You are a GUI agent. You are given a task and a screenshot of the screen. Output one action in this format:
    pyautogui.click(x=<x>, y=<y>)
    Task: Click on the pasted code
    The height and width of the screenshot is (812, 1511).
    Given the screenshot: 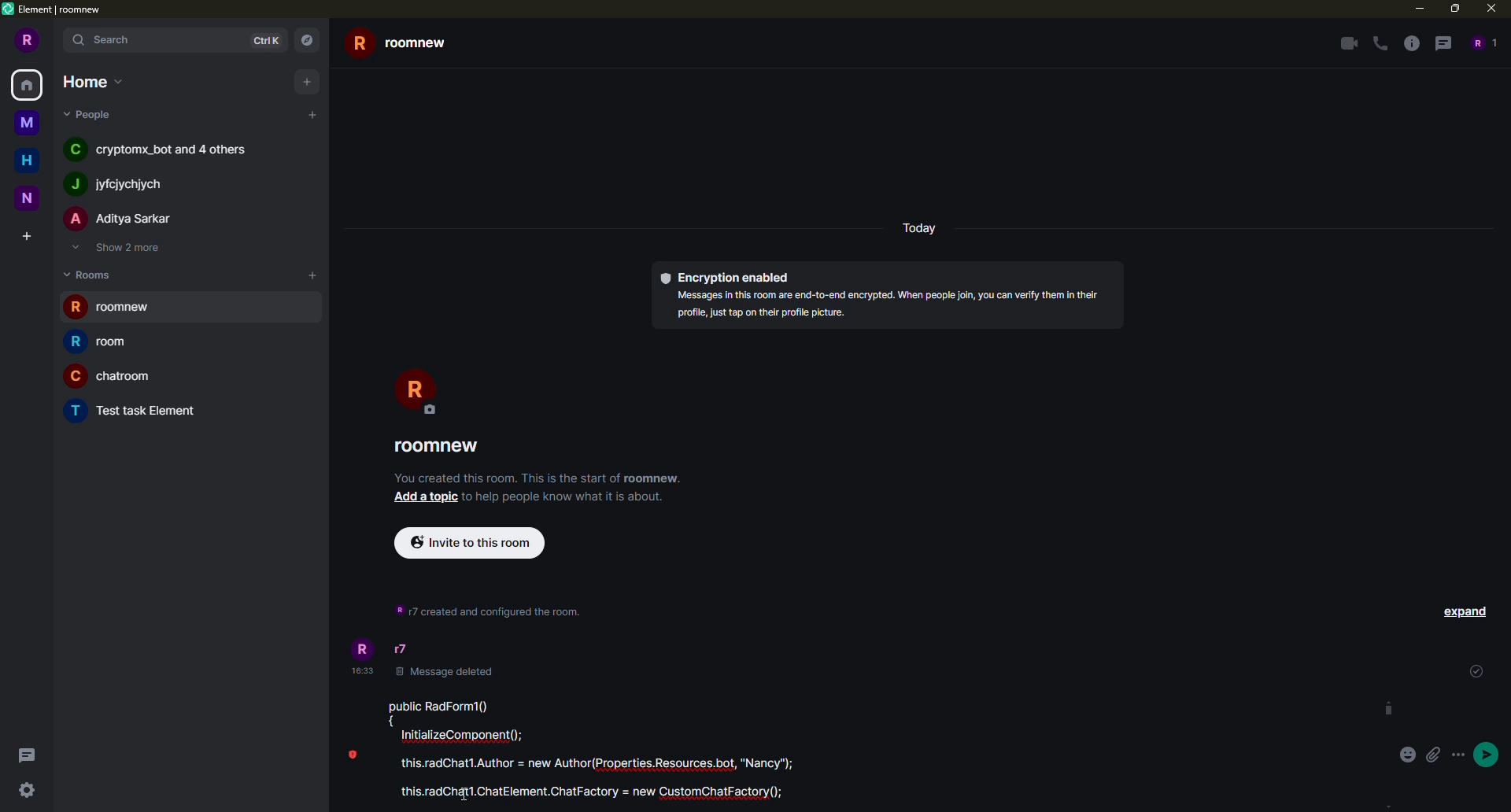 What is the action you would take?
    pyautogui.click(x=587, y=754)
    